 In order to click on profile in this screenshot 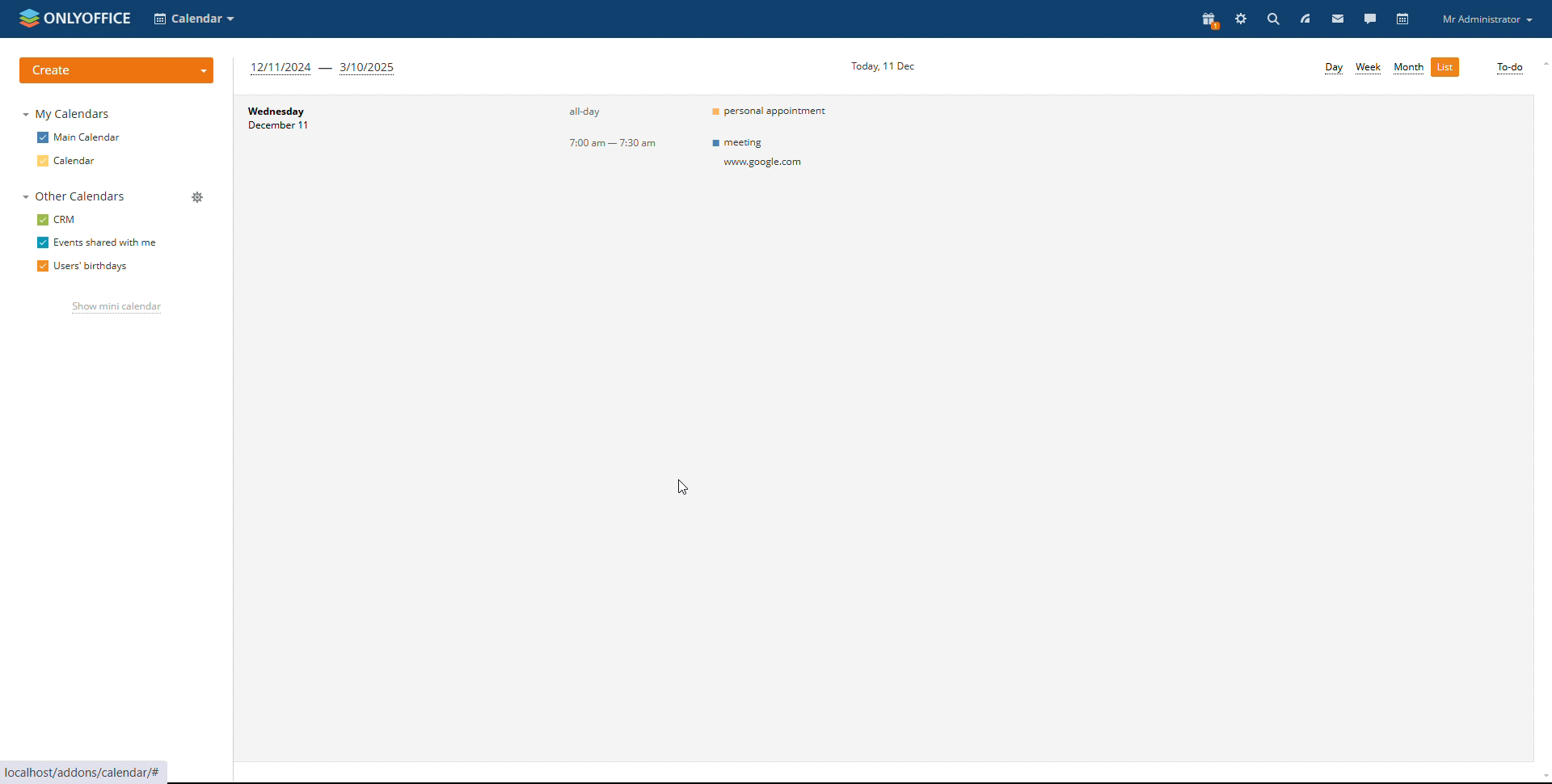, I will do `click(1487, 19)`.